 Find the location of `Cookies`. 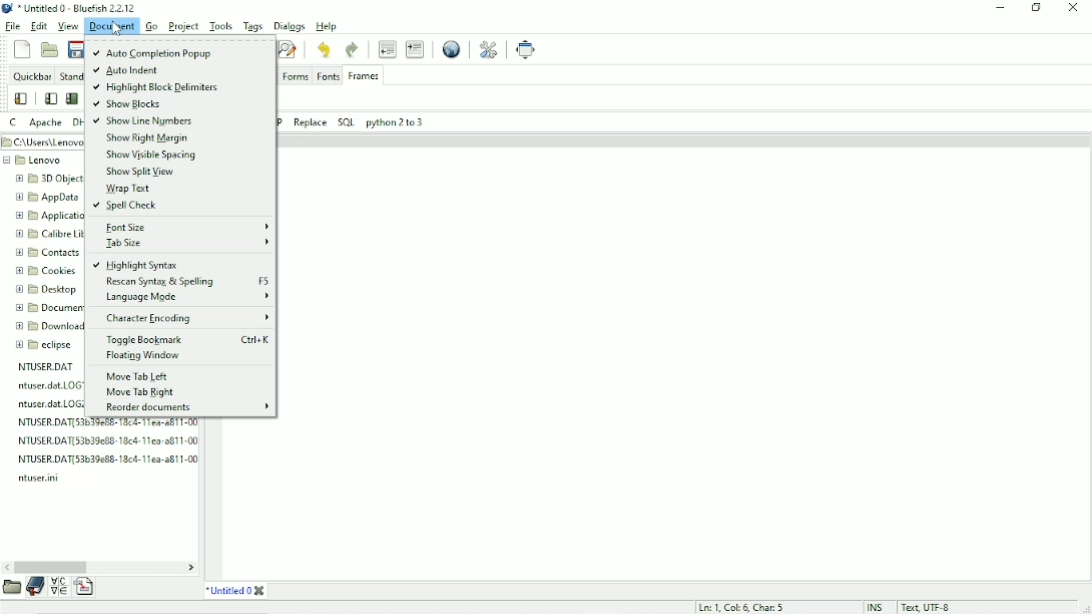

Cookies is located at coordinates (44, 270).